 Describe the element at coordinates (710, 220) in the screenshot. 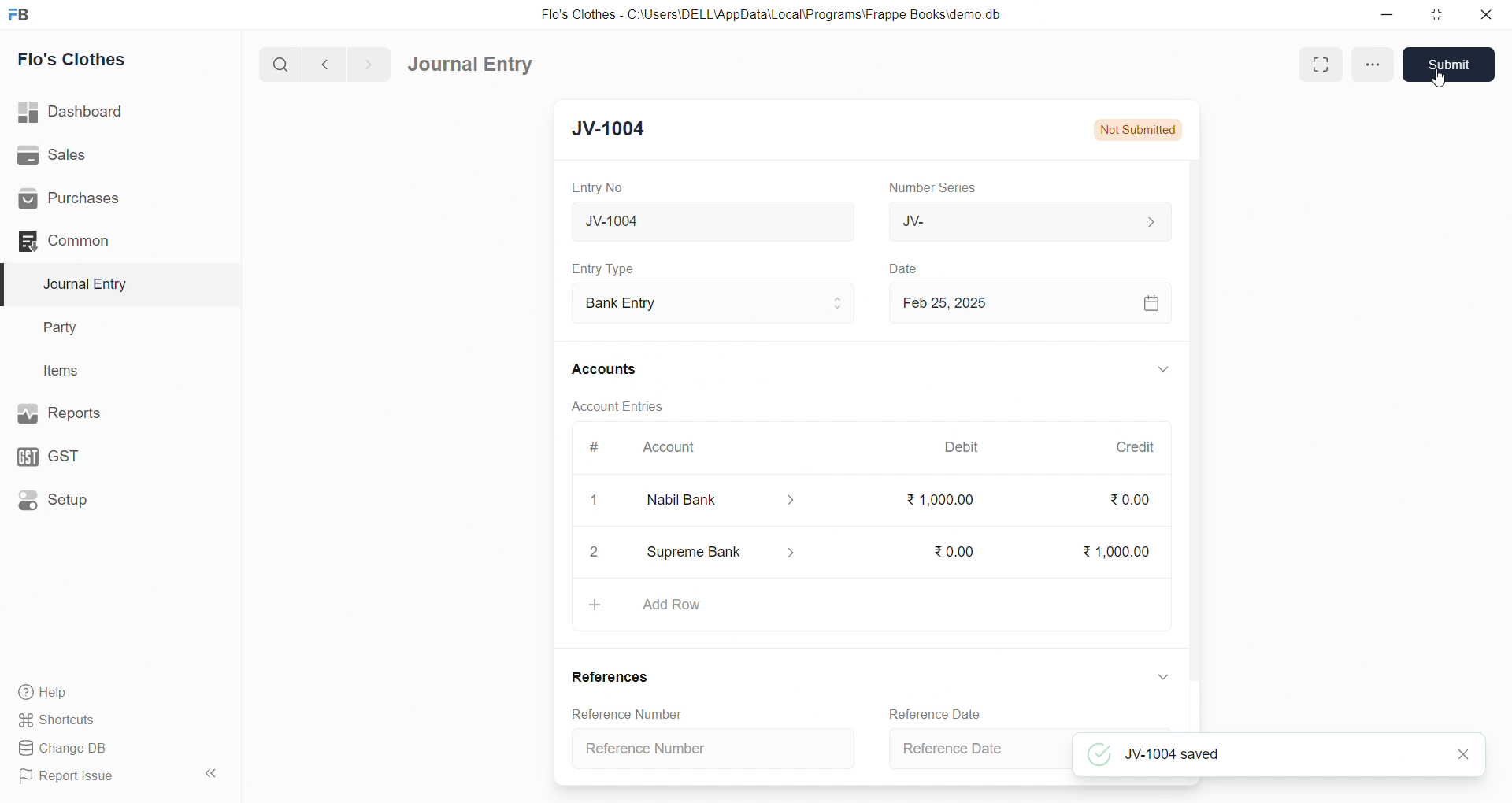

I see `New Journal Entry 04` at that location.